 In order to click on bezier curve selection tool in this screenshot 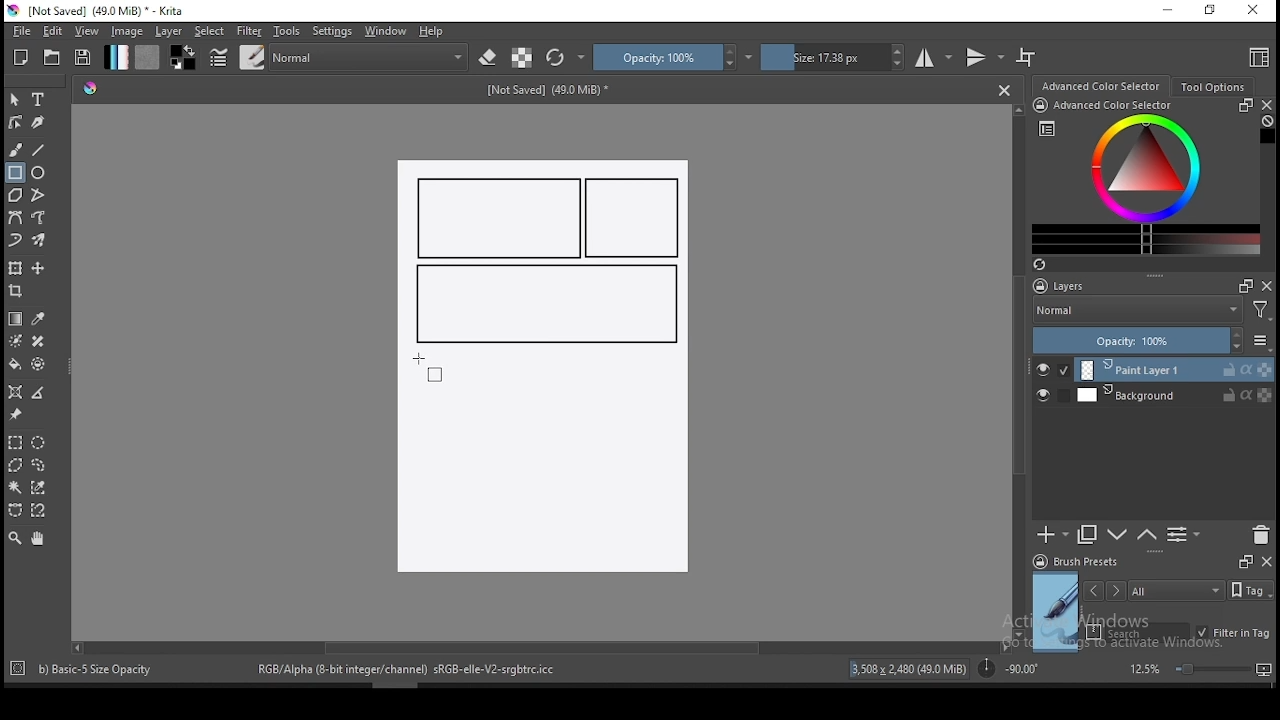, I will do `click(15, 511)`.